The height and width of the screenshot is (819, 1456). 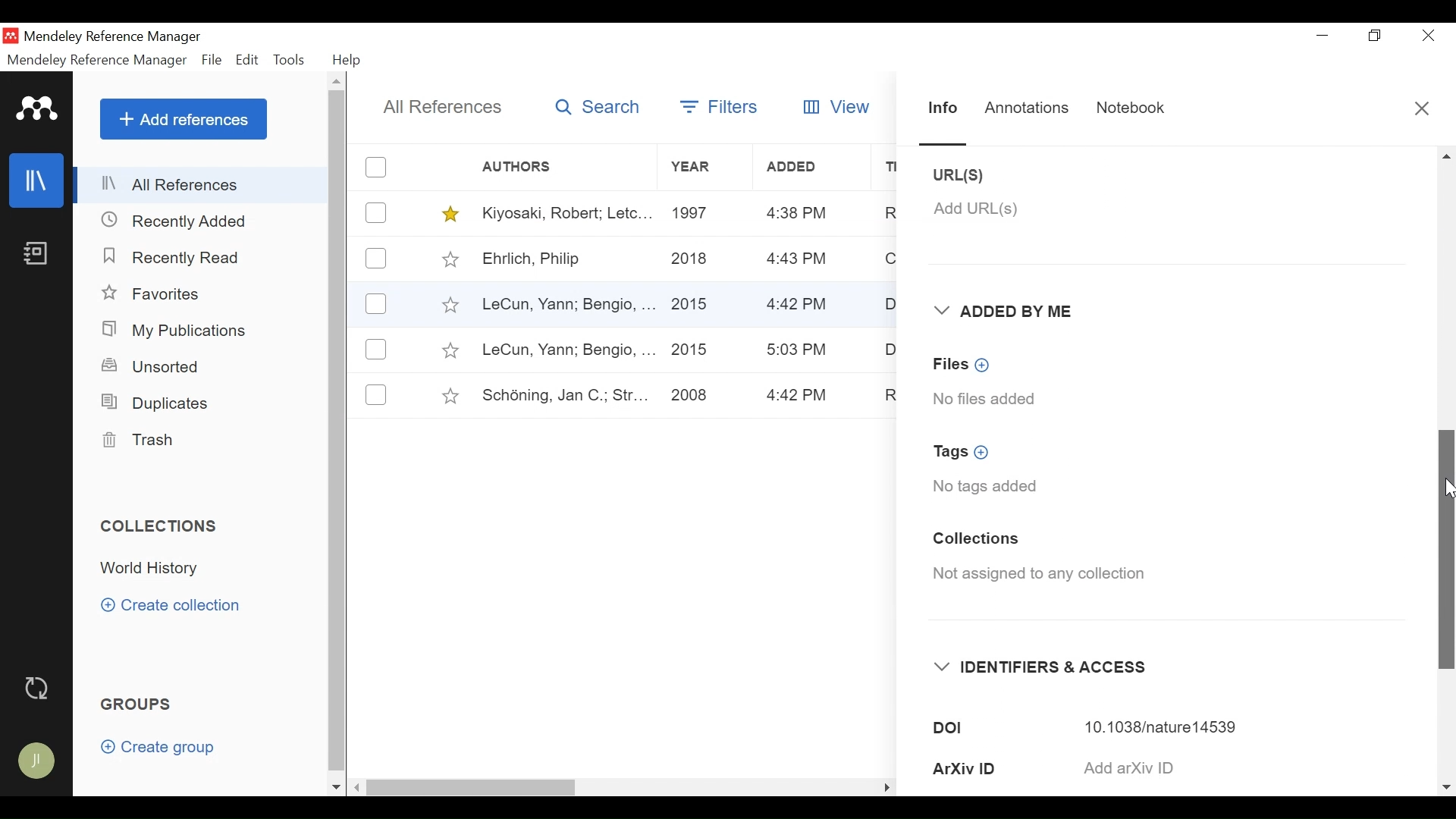 What do you see at coordinates (376, 394) in the screenshot?
I see `(un)select` at bounding box center [376, 394].